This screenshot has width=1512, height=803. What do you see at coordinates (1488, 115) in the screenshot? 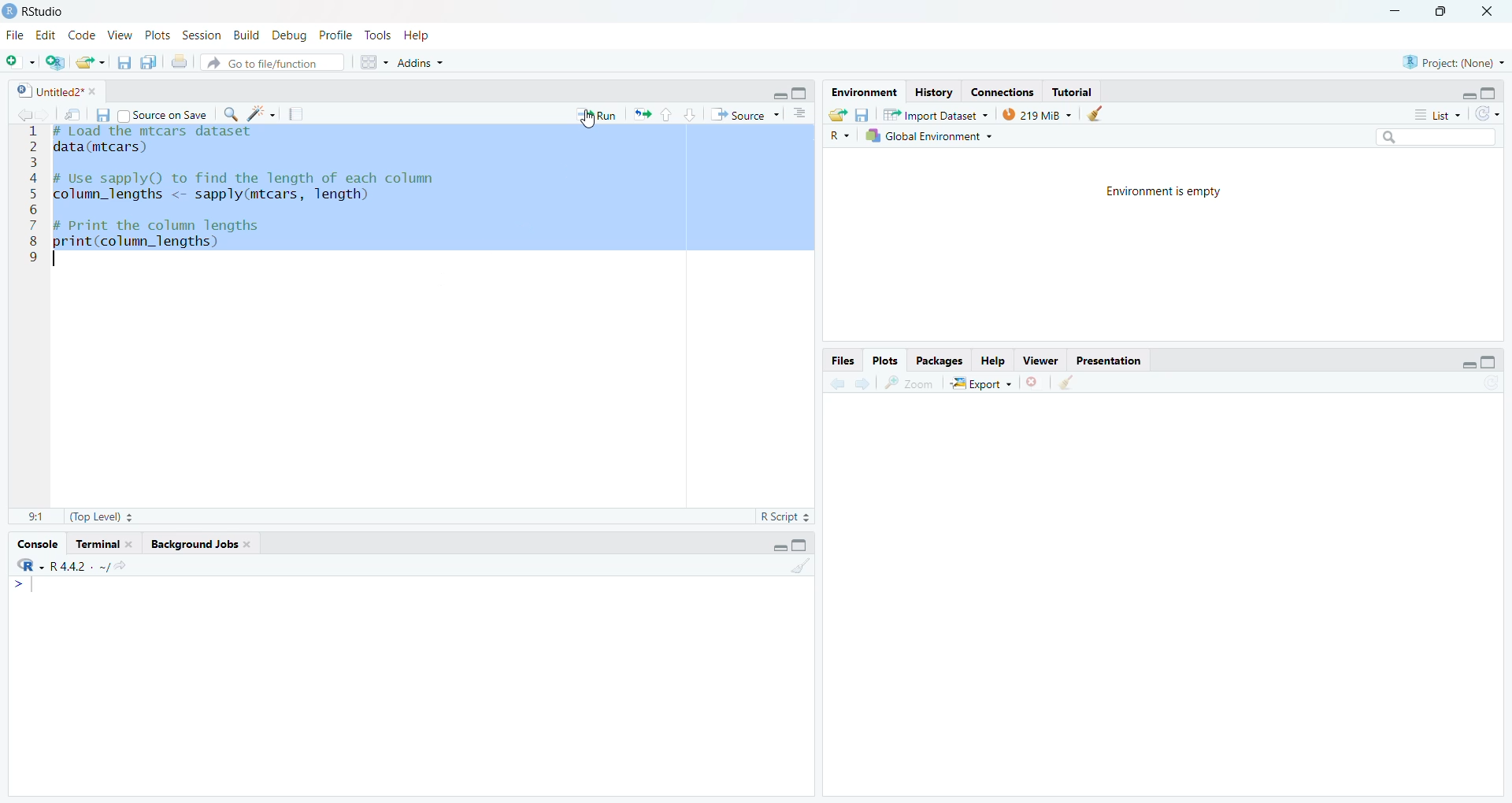
I see `Refresh list` at bounding box center [1488, 115].